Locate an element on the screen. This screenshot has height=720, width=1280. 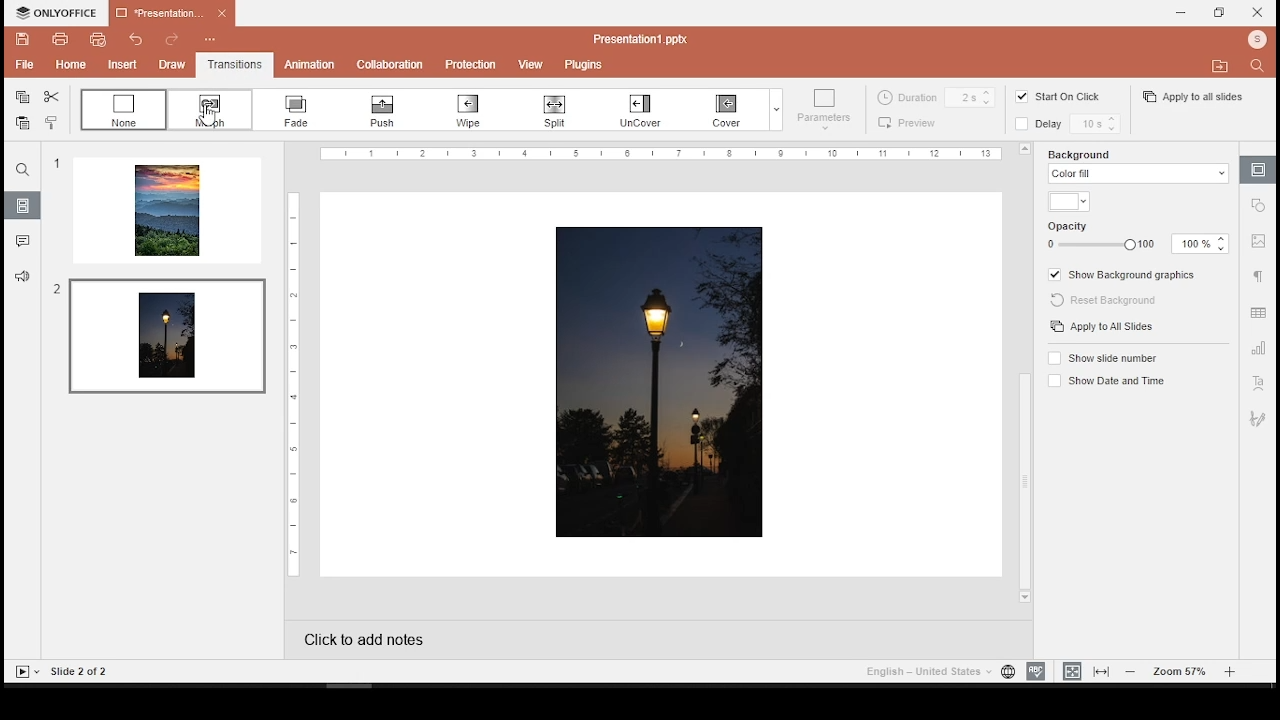
undo is located at coordinates (132, 40).